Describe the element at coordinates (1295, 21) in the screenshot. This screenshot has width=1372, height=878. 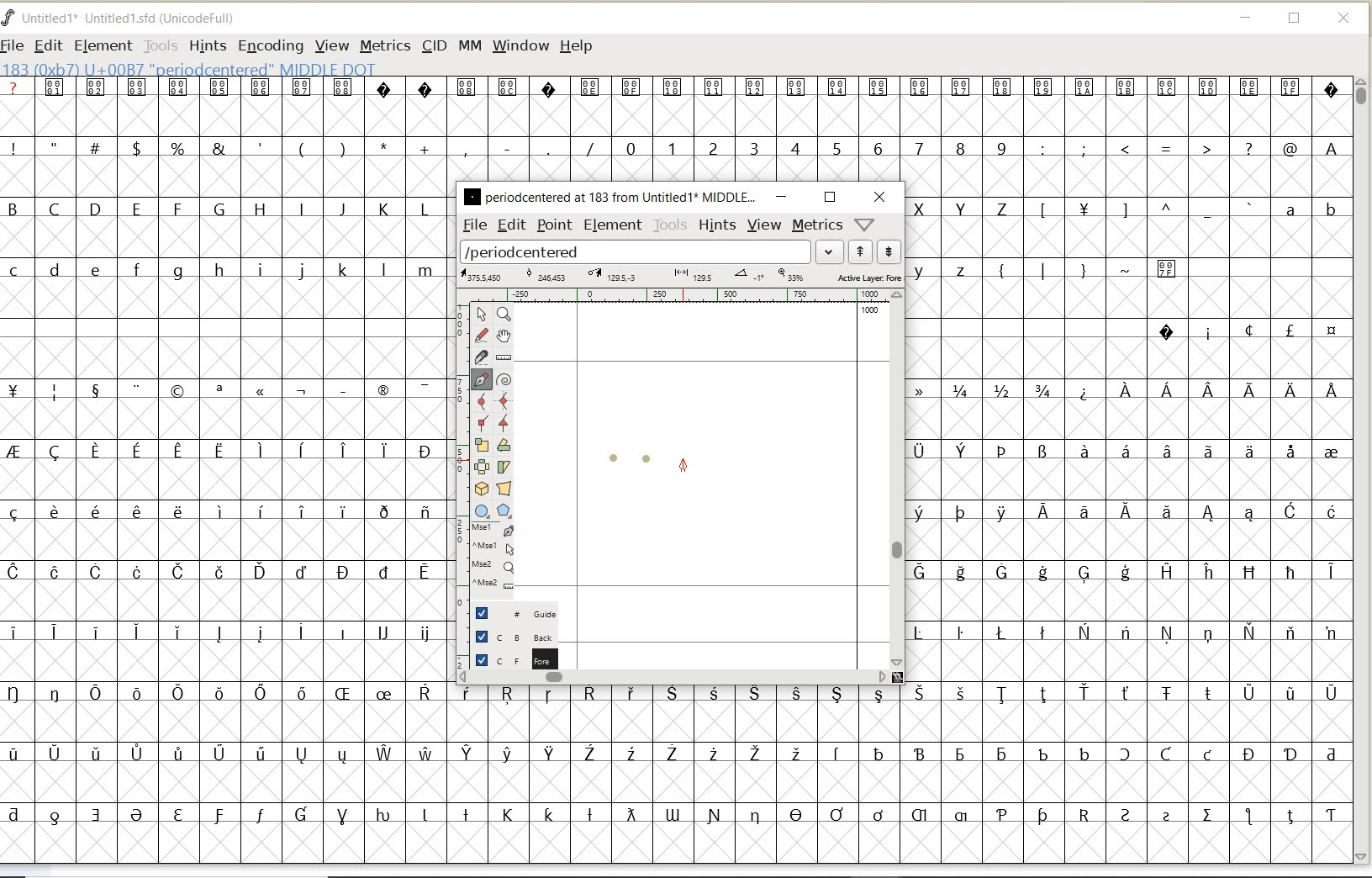
I see `RESTORE` at that location.